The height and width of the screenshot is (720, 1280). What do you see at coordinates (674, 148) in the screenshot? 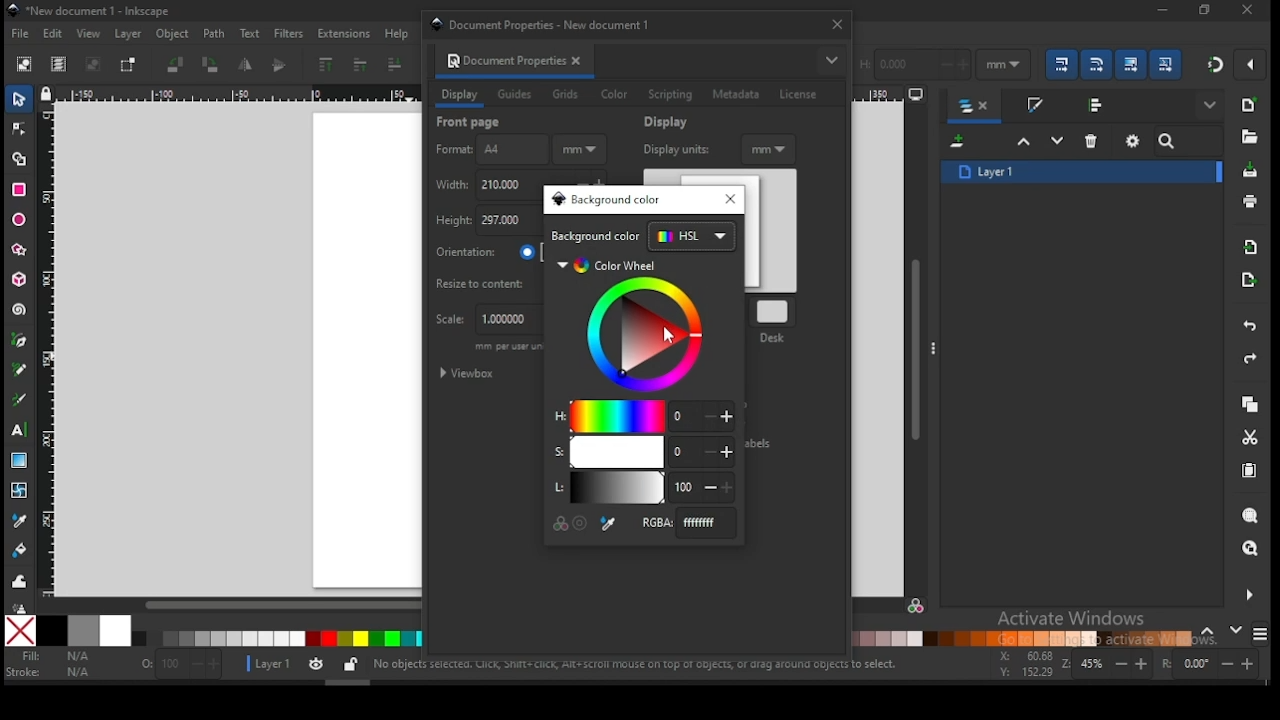
I see `display units` at bounding box center [674, 148].